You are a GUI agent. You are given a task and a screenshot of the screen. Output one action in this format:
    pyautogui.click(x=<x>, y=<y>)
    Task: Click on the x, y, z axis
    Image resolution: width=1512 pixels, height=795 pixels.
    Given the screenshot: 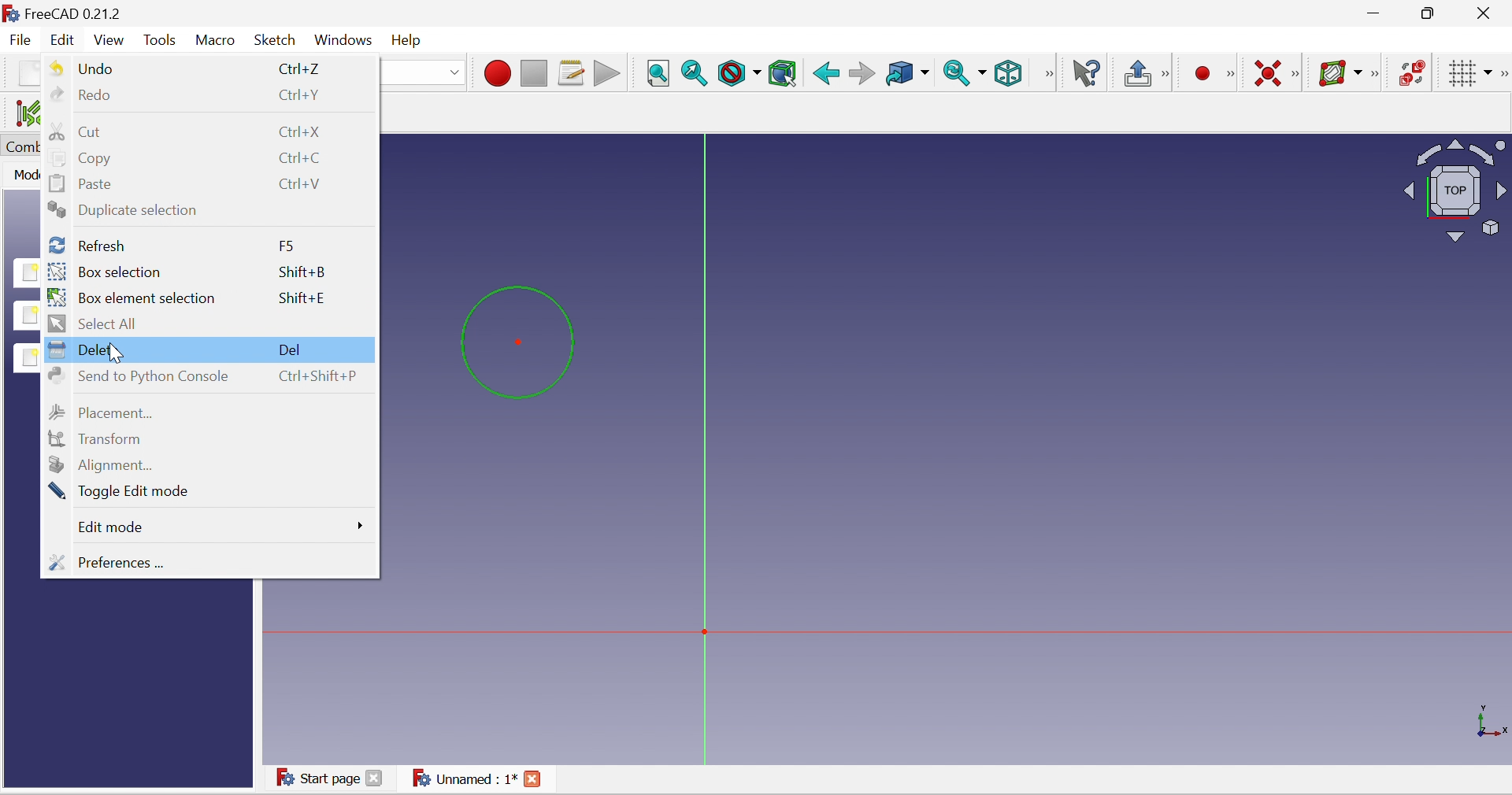 What is the action you would take?
    pyautogui.click(x=1492, y=719)
    